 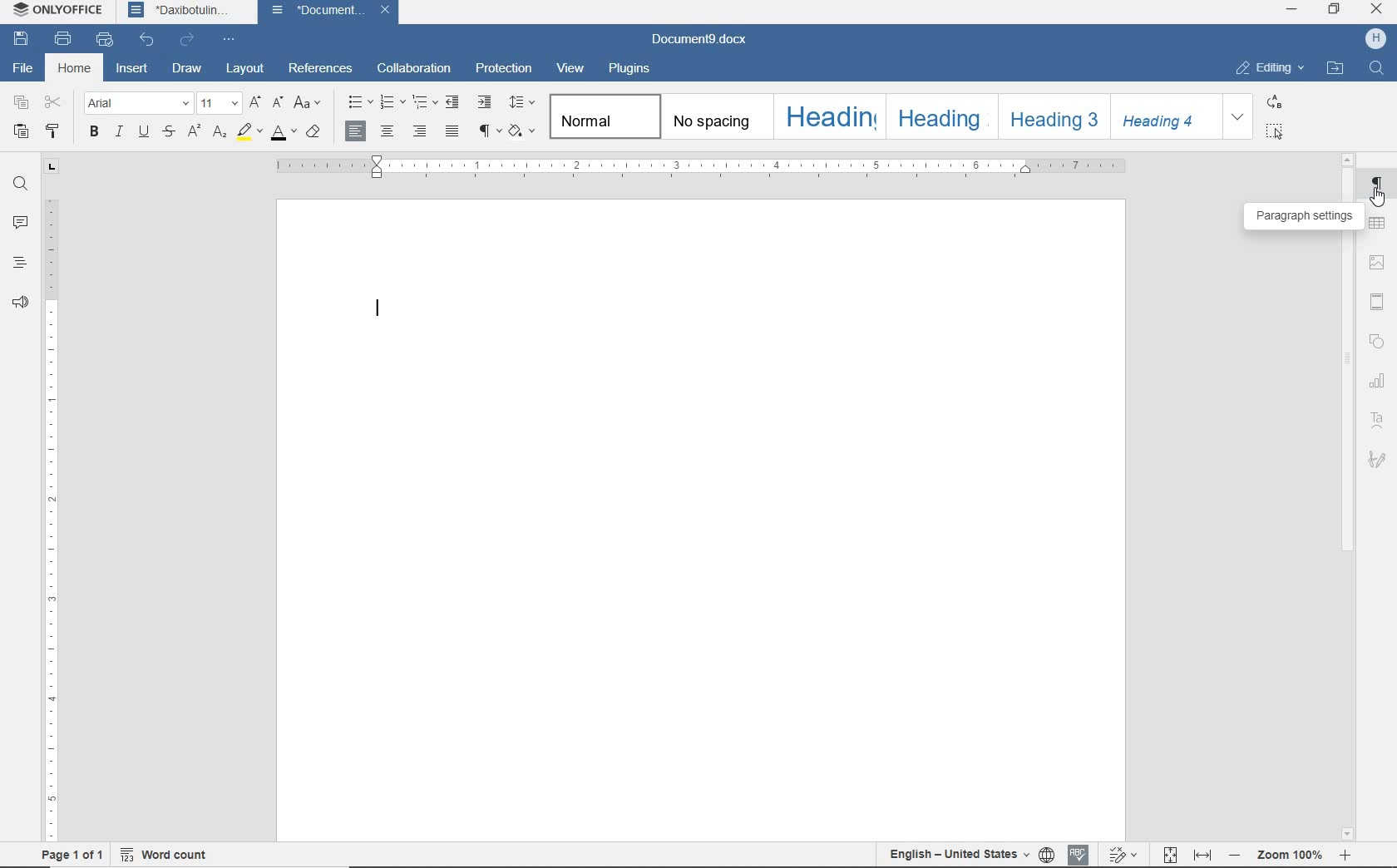 What do you see at coordinates (170, 131) in the screenshot?
I see `strikethrough` at bounding box center [170, 131].